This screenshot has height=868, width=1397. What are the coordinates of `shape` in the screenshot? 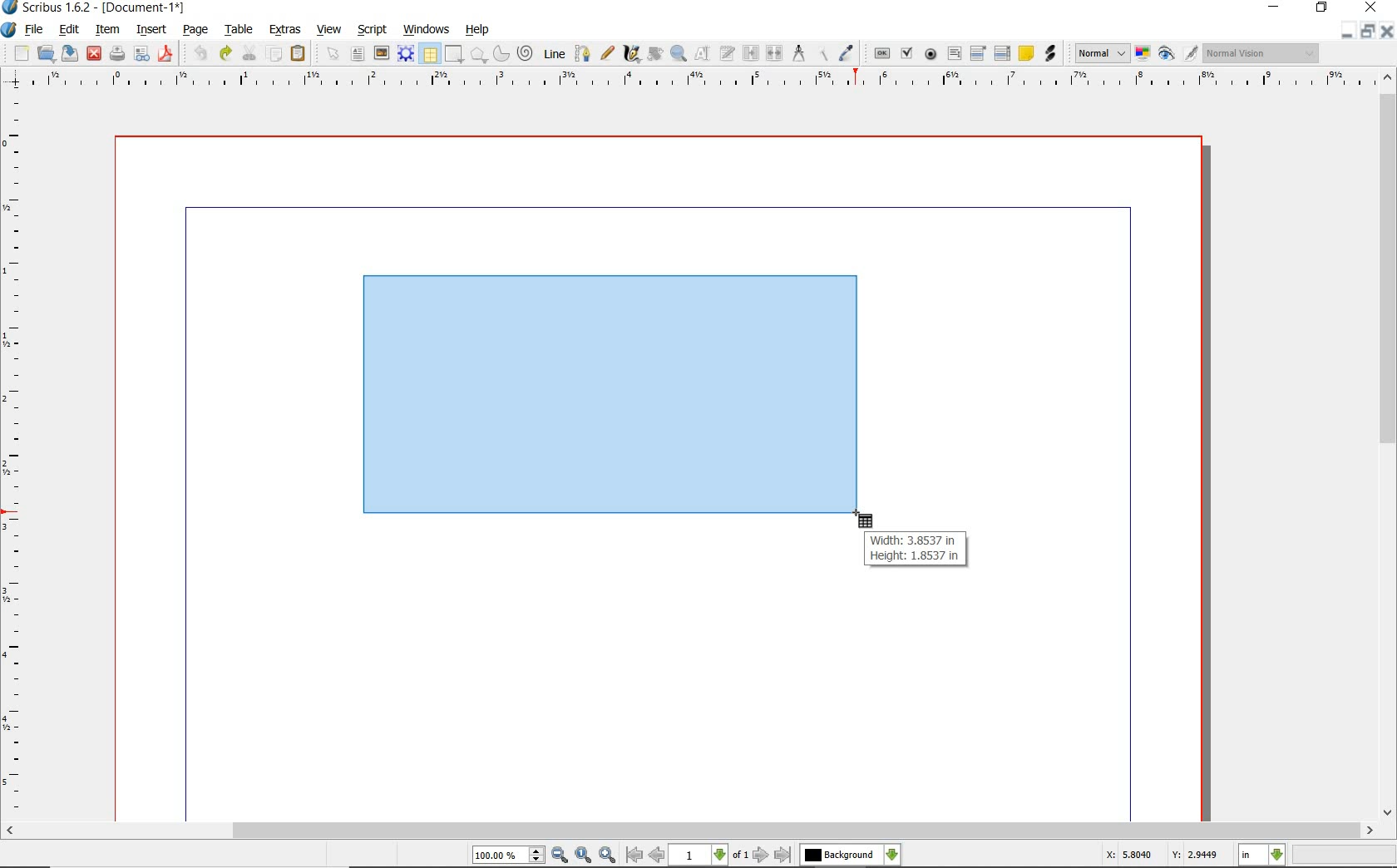 It's located at (479, 56).